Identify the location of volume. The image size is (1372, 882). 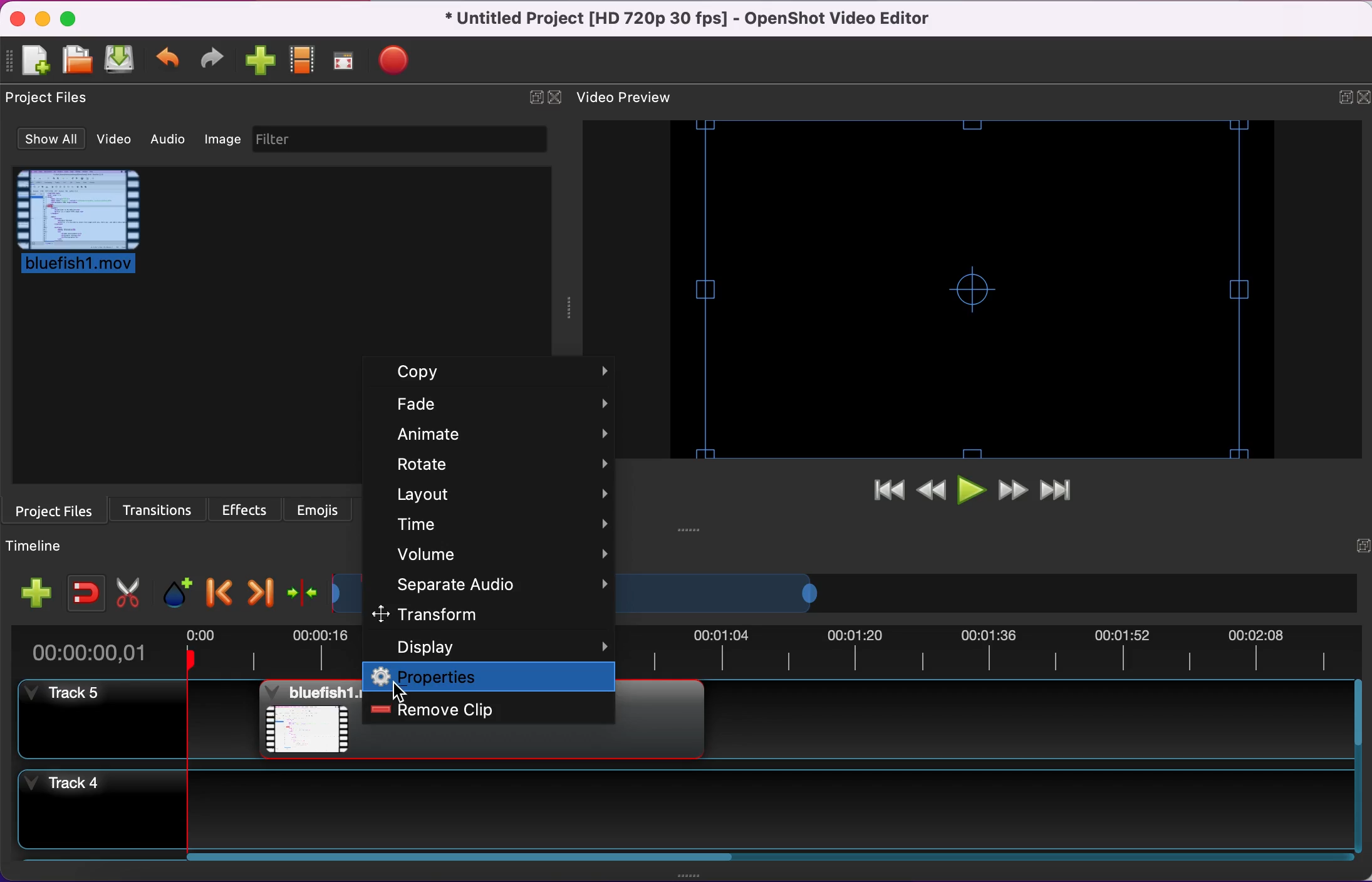
(502, 554).